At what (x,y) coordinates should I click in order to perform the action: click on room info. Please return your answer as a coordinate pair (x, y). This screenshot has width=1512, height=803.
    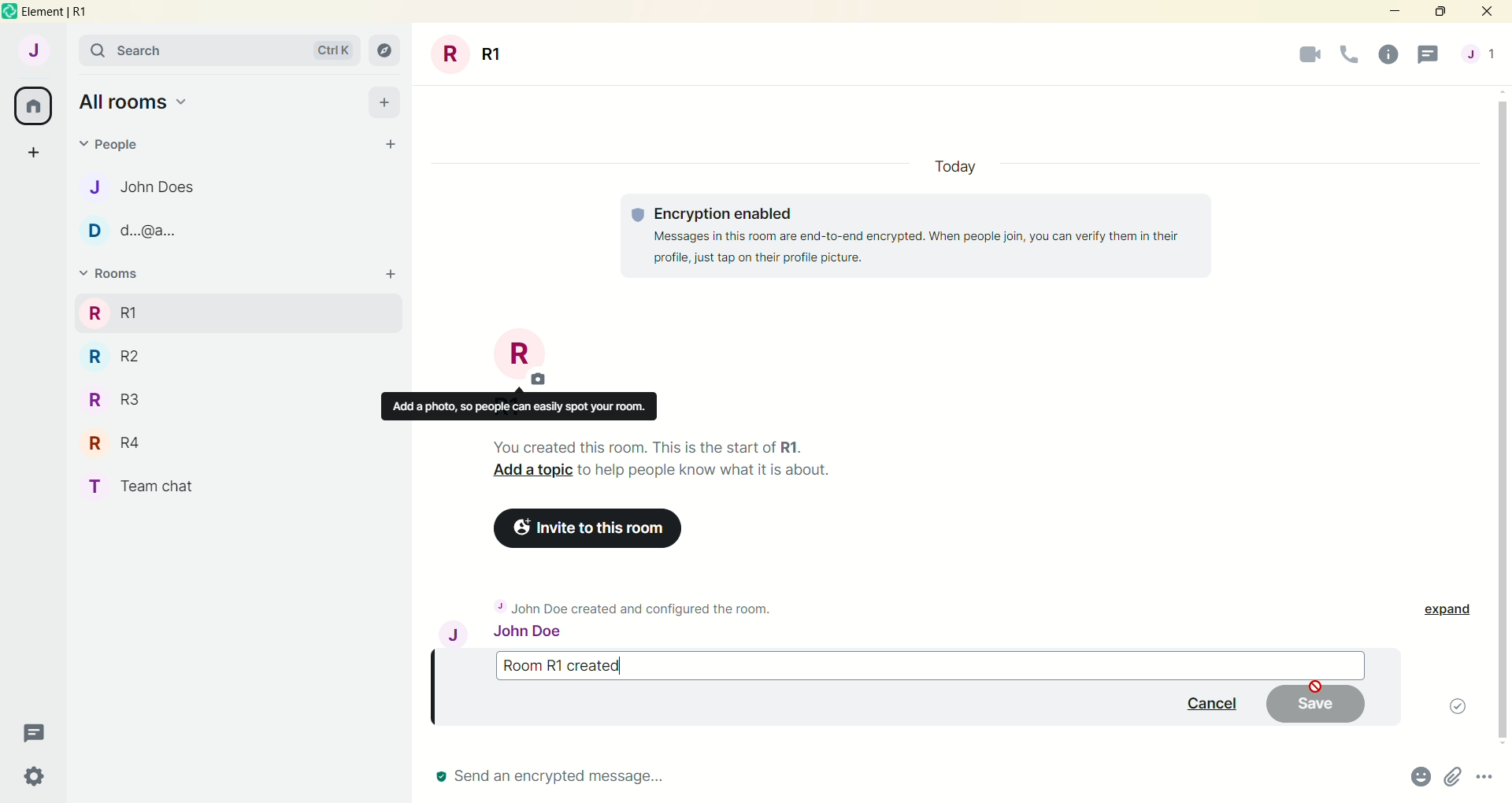
    Looking at the image, I should click on (1388, 56).